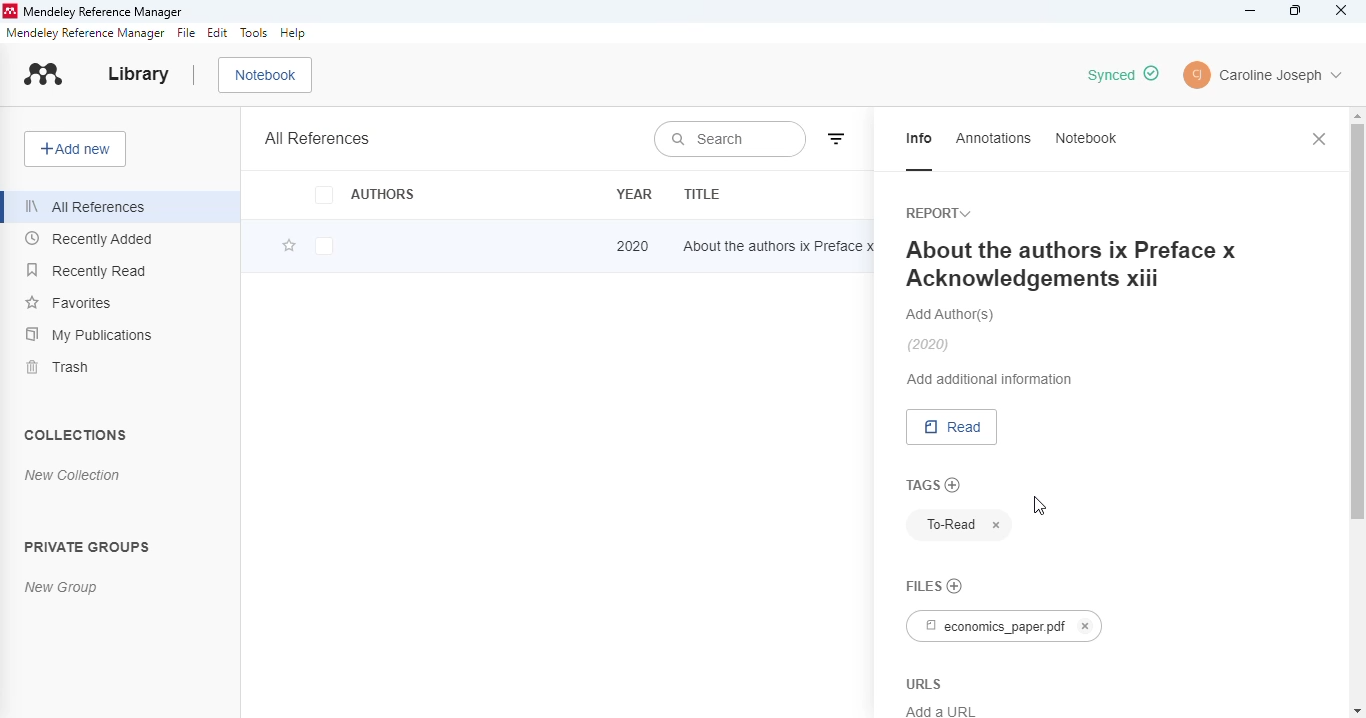 Image resolution: width=1366 pixels, height=718 pixels. What do you see at coordinates (88, 333) in the screenshot?
I see `my publications` at bounding box center [88, 333].